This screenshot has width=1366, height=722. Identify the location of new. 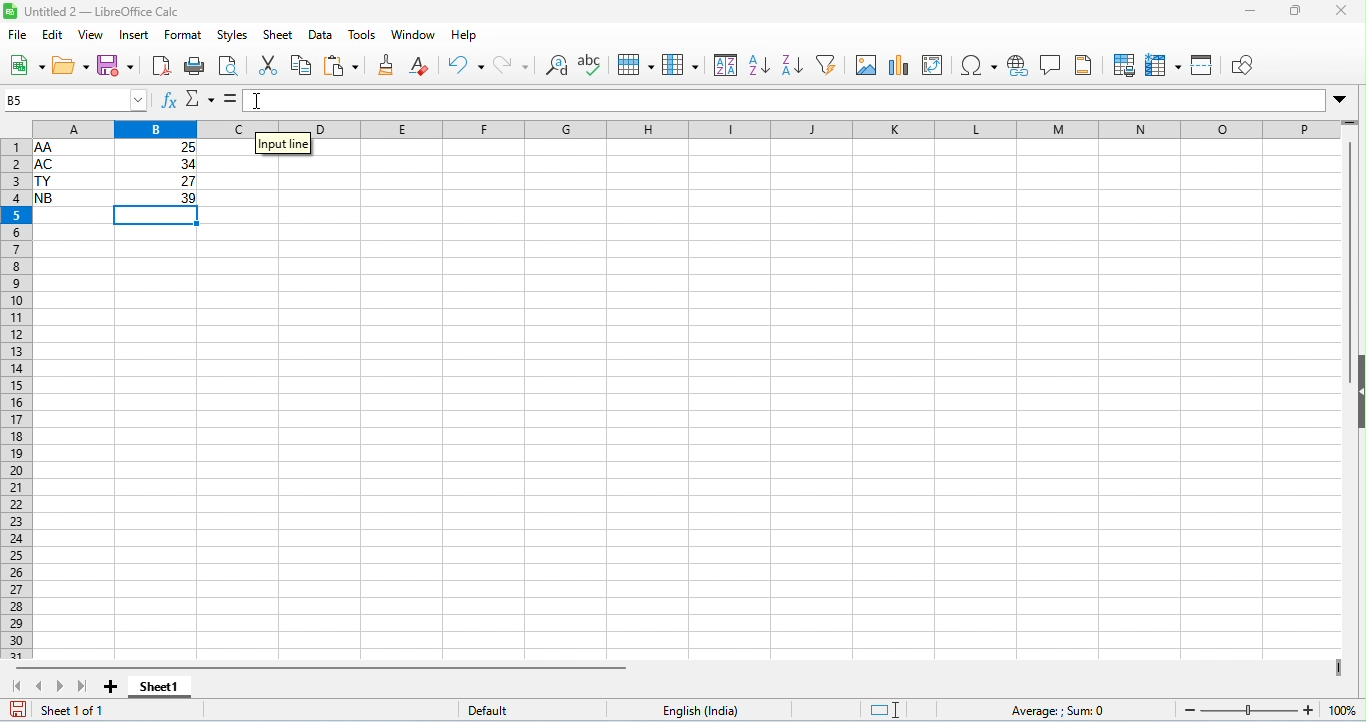
(27, 67).